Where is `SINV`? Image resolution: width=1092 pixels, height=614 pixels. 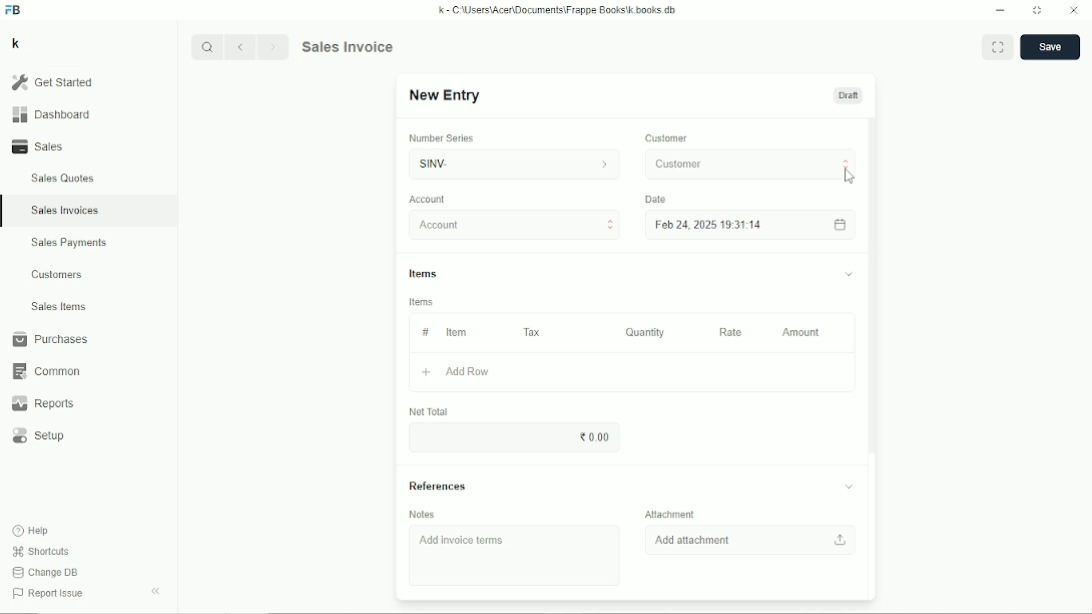
SINV is located at coordinates (511, 164).